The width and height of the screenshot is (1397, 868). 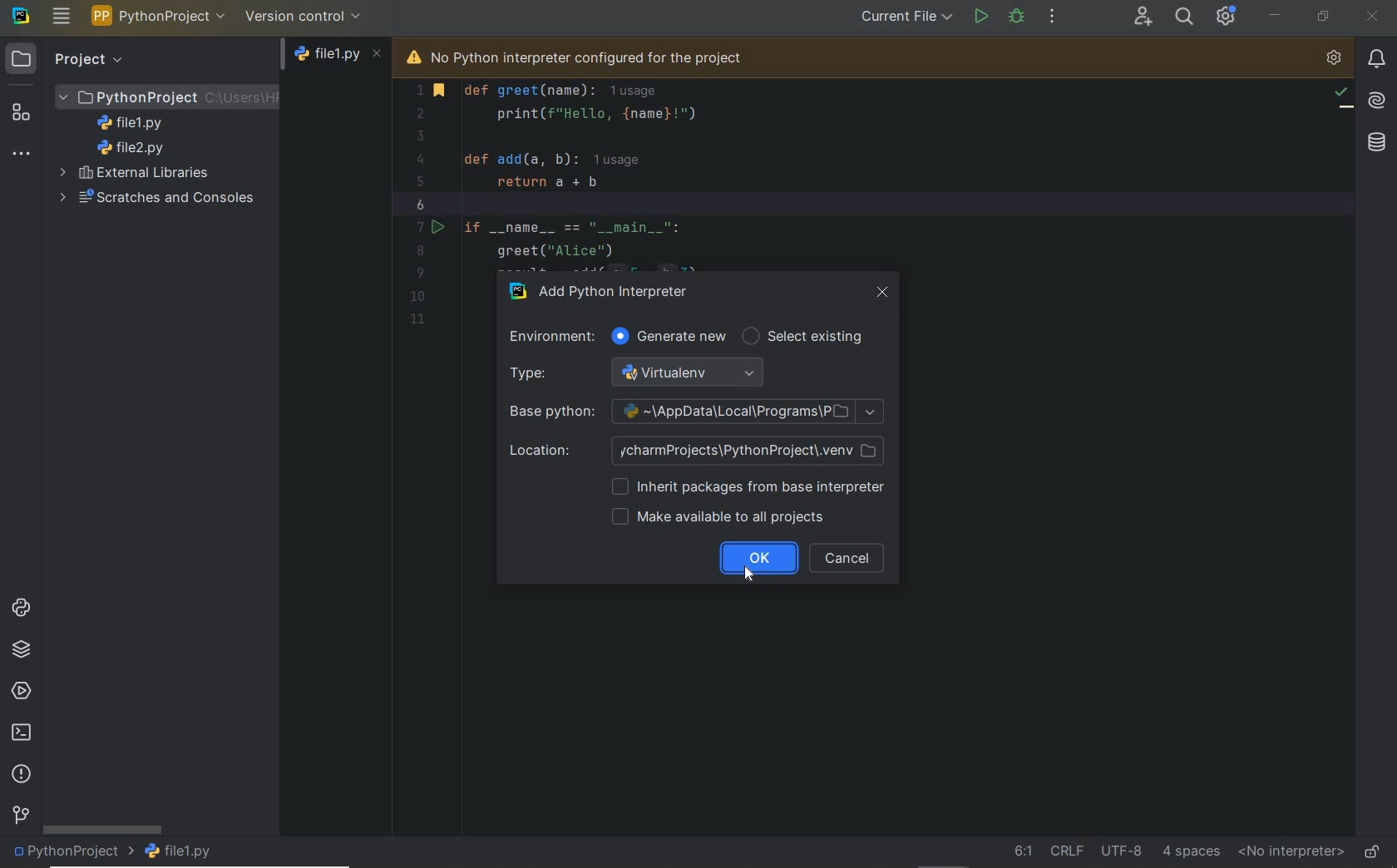 I want to click on Inherit packages from base interpreter, so click(x=746, y=489).